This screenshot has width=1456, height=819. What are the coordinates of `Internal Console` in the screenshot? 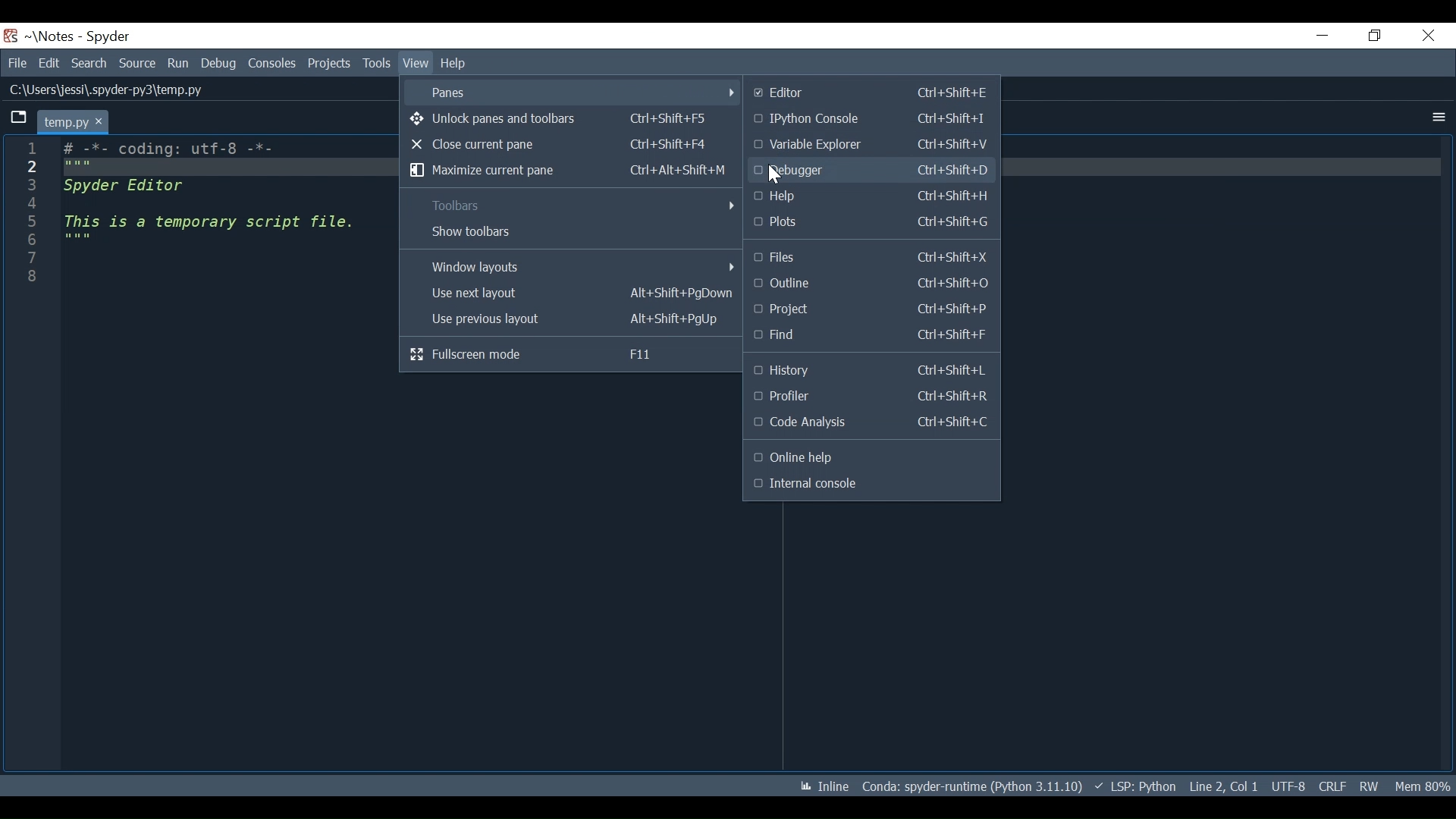 It's located at (868, 485).